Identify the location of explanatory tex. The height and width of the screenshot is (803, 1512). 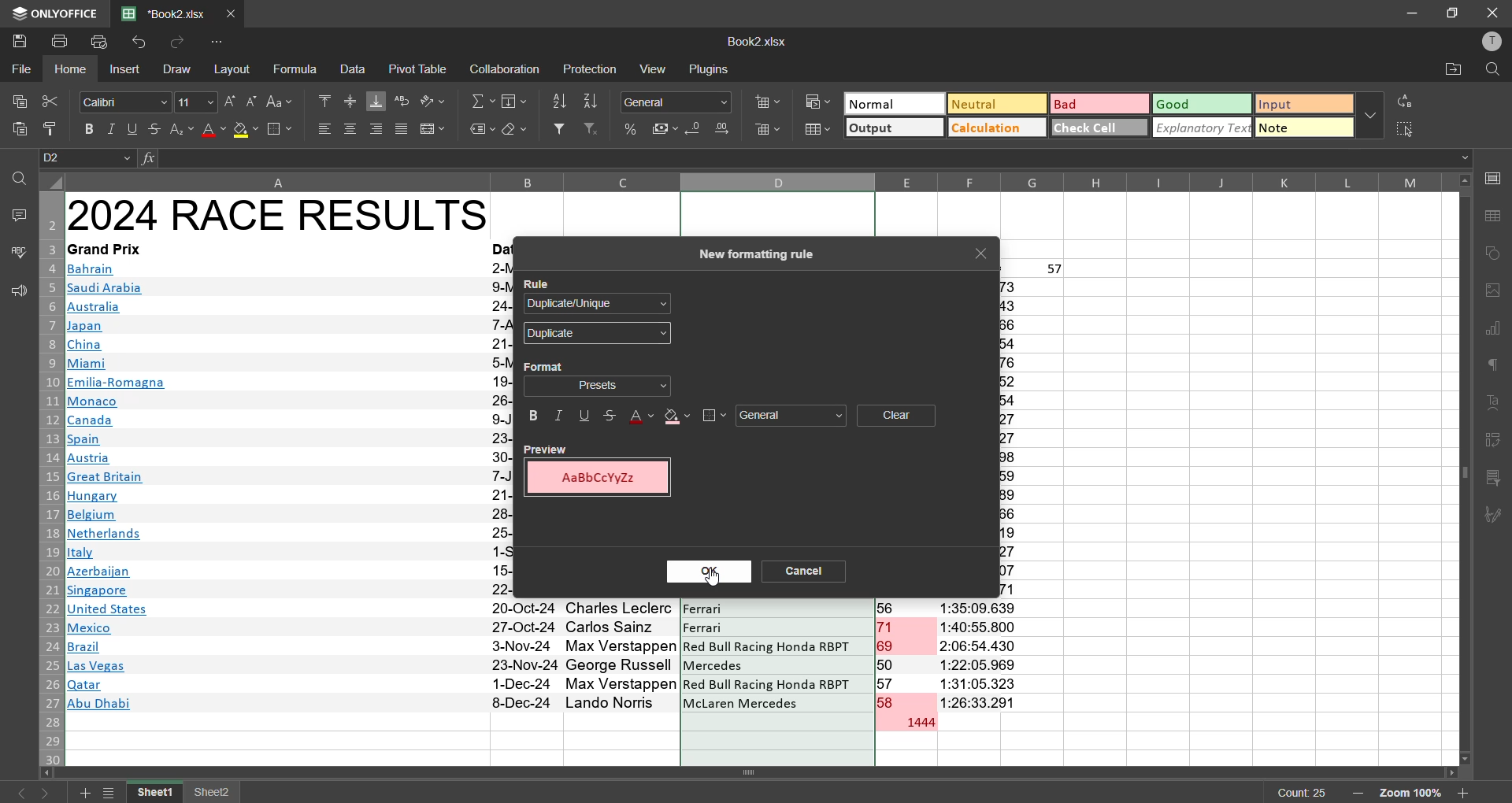
(1203, 128).